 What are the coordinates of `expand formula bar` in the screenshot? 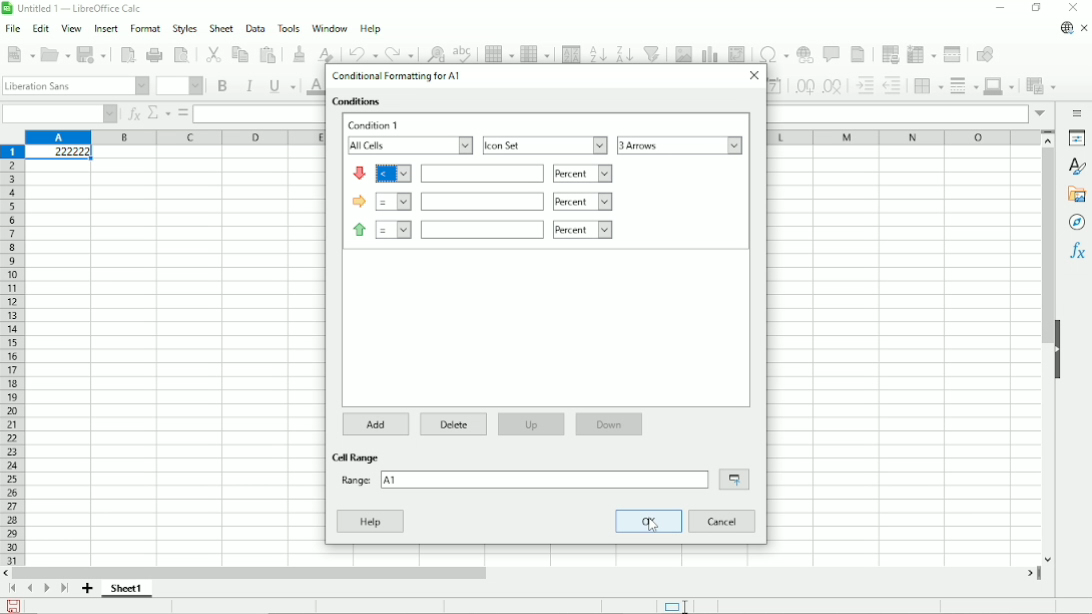 It's located at (1040, 112).